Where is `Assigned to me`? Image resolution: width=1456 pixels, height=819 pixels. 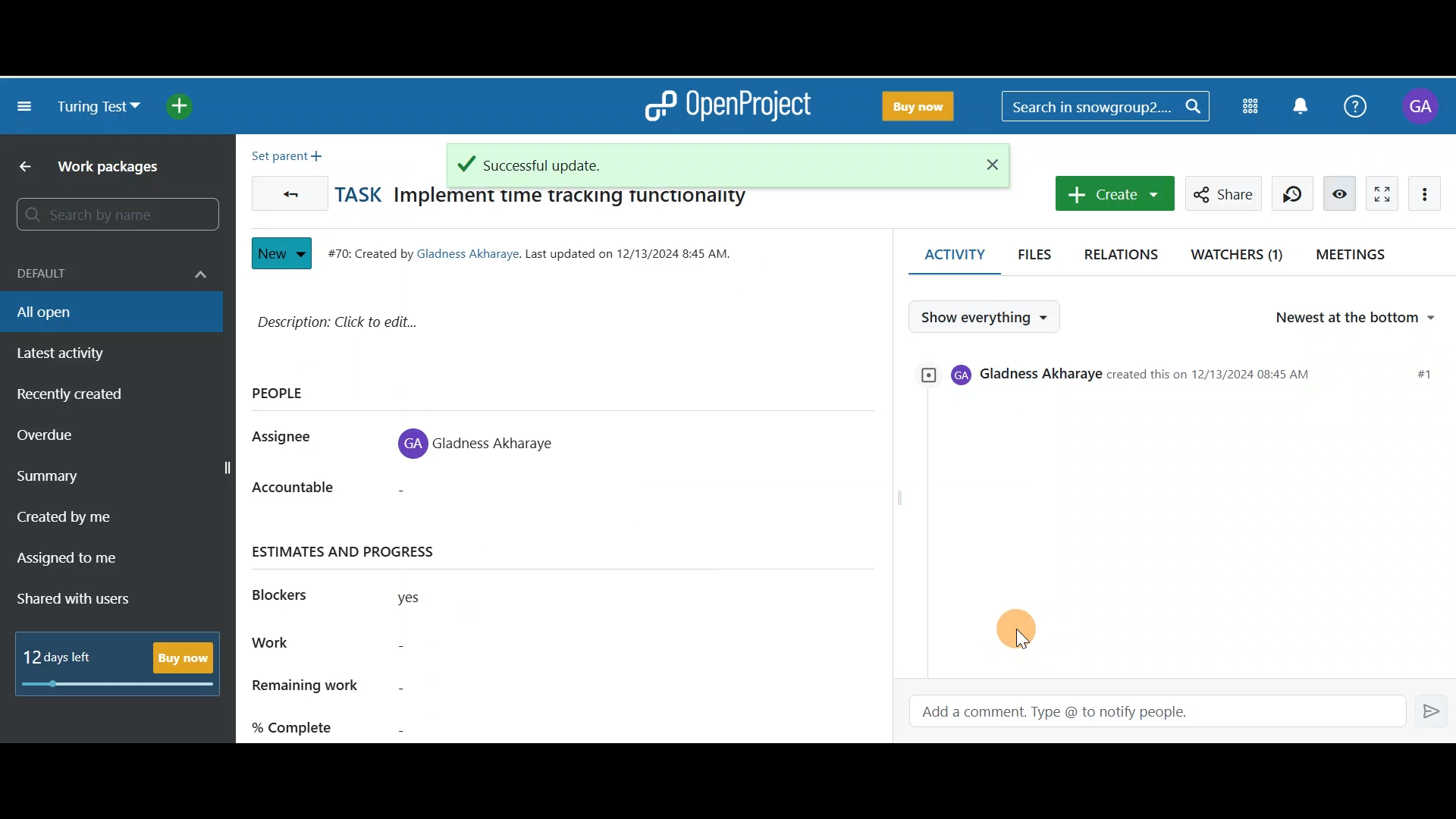 Assigned to me is located at coordinates (88, 560).